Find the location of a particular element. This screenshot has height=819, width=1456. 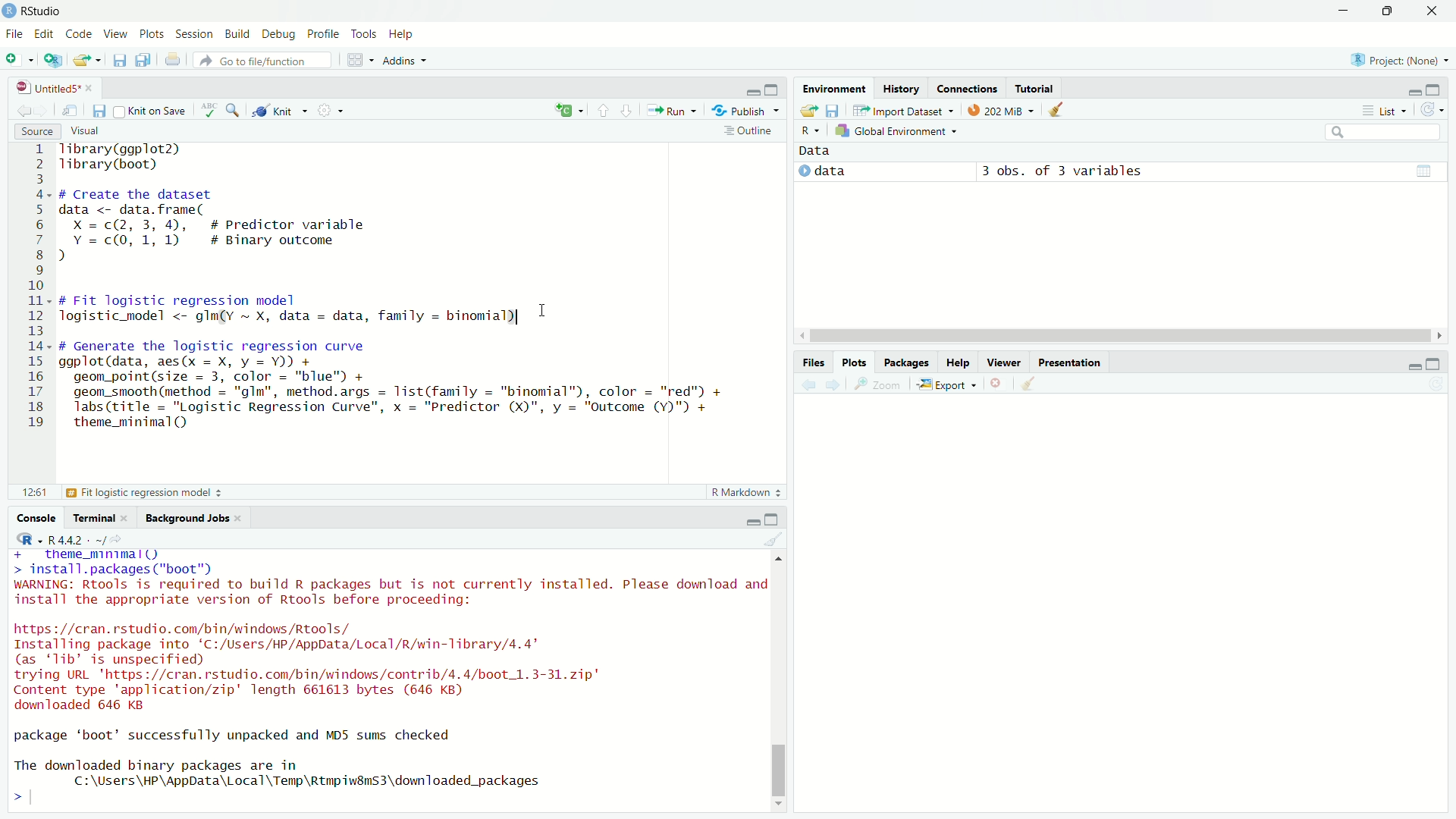

Workspace panes is located at coordinates (359, 58).